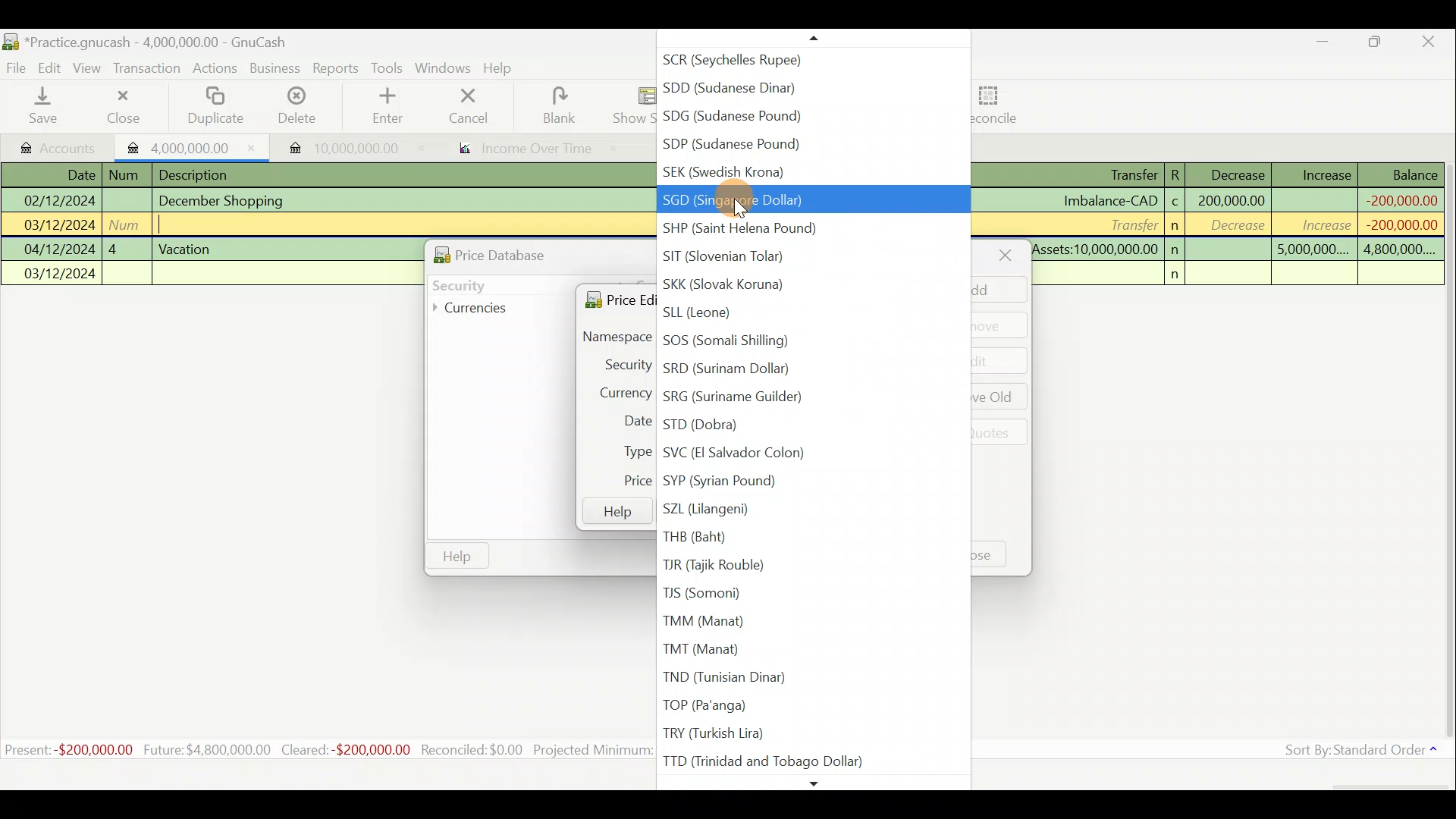 Image resolution: width=1456 pixels, height=819 pixels. What do you see at coordinates (276, 68) in the screenshot?
I see `Business` at bounding box center [276, 68].